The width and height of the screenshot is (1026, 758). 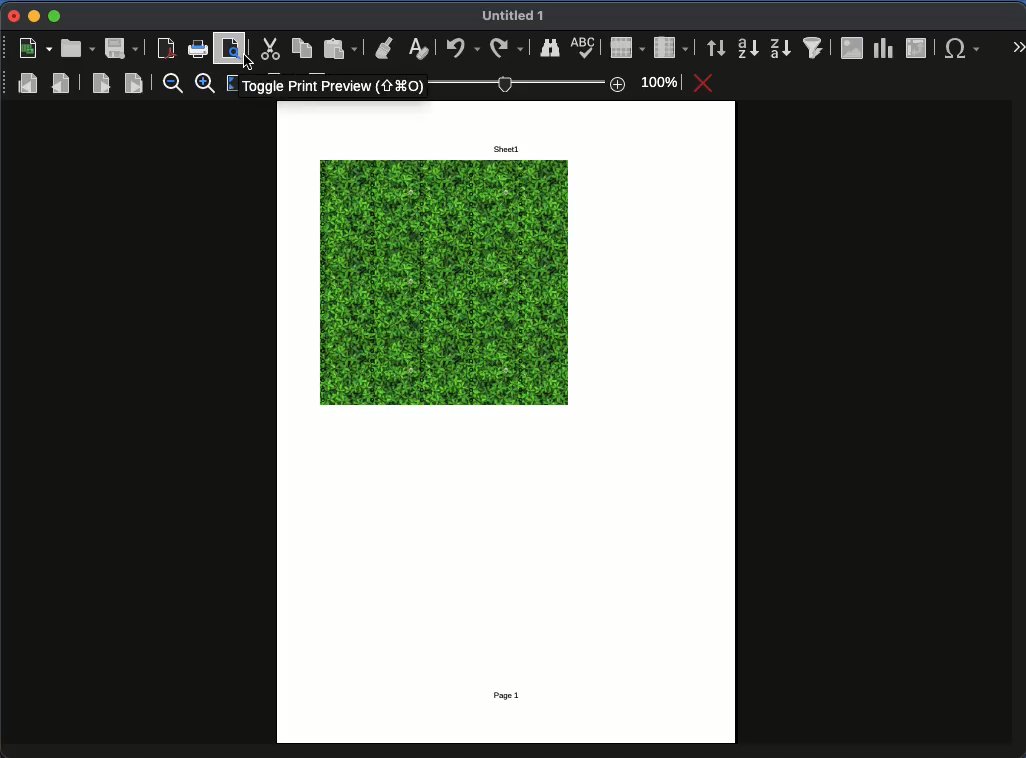 What do you see at coordinates (444, 284) in the screenshot?
I see `image background` at bounding box center [444, 284].